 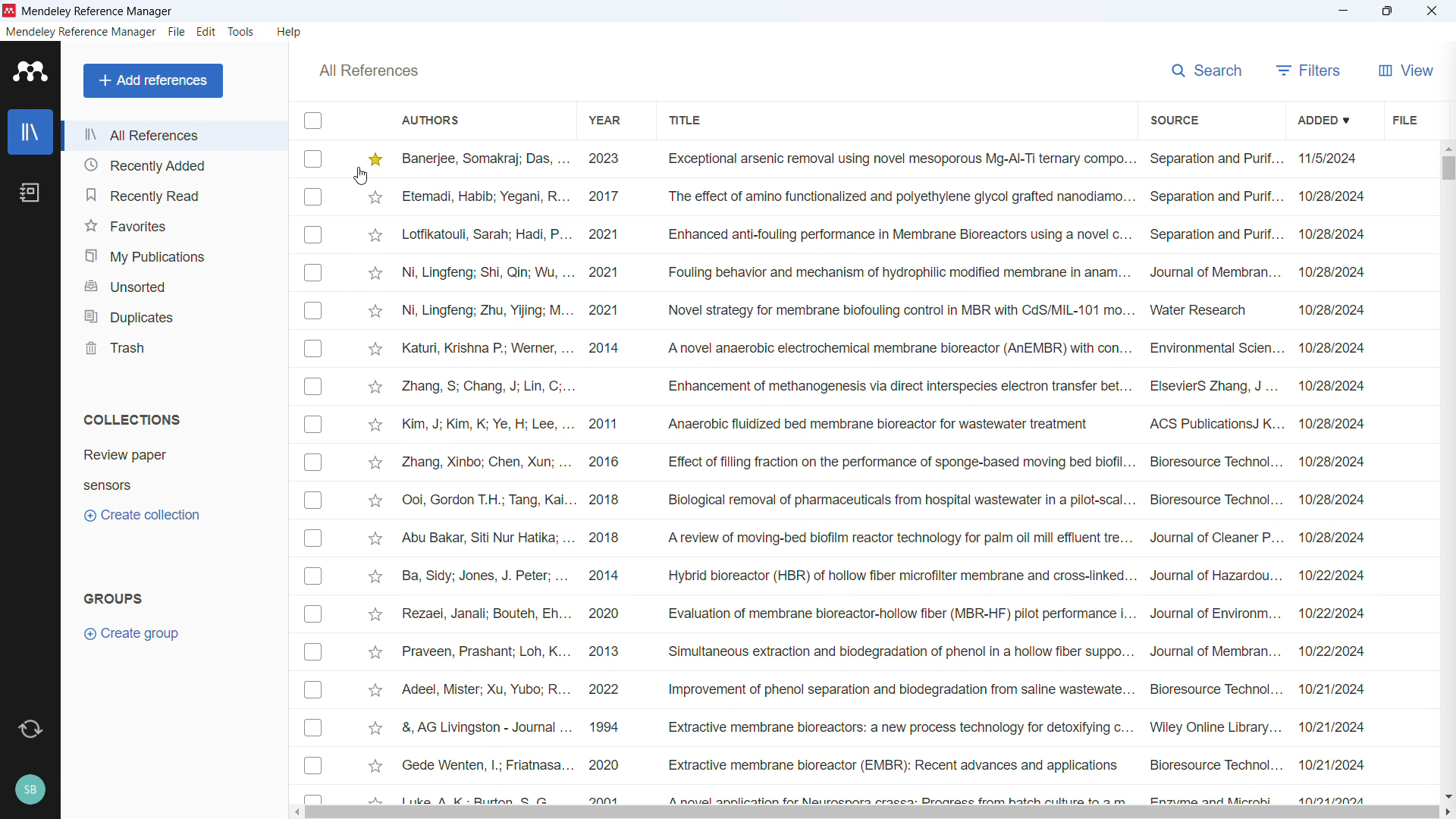 I want to click on Title of individual entries , so click(x=899, y=475).